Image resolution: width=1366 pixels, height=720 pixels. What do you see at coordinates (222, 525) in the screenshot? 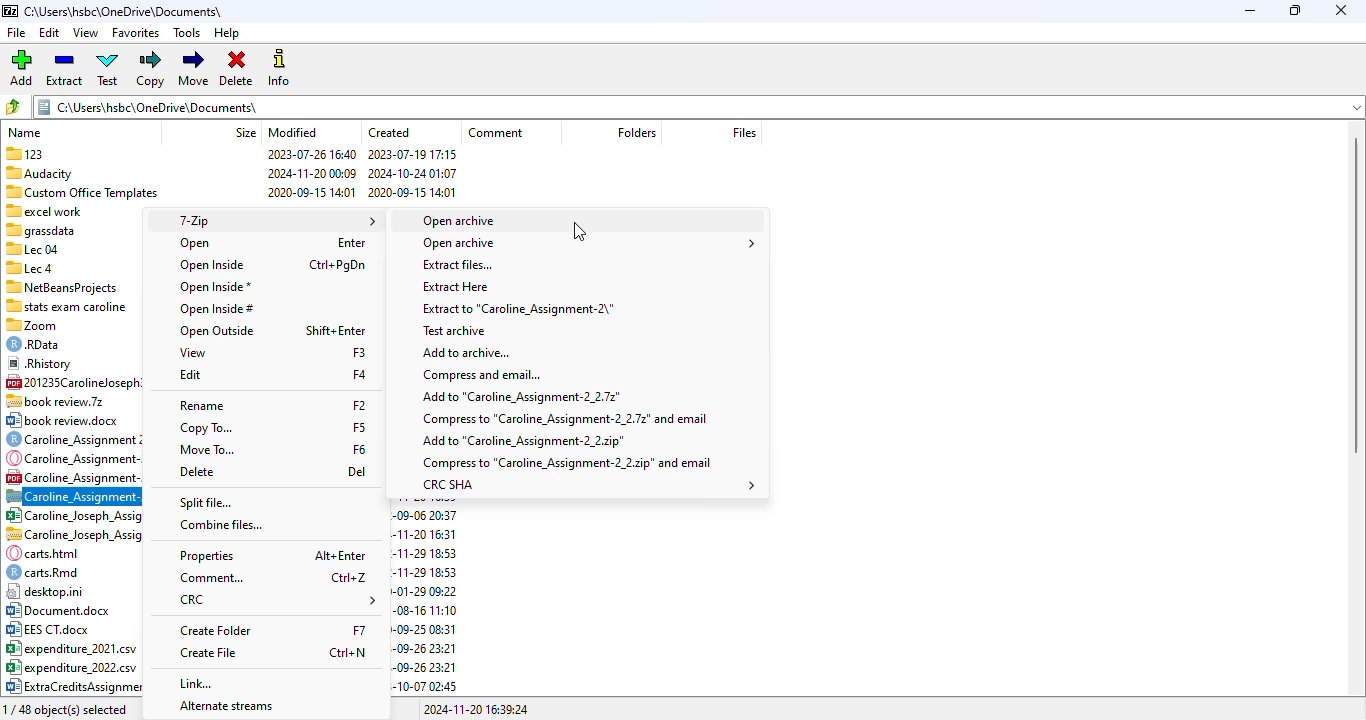
I see `combine files` at bounding box center [222, 525].